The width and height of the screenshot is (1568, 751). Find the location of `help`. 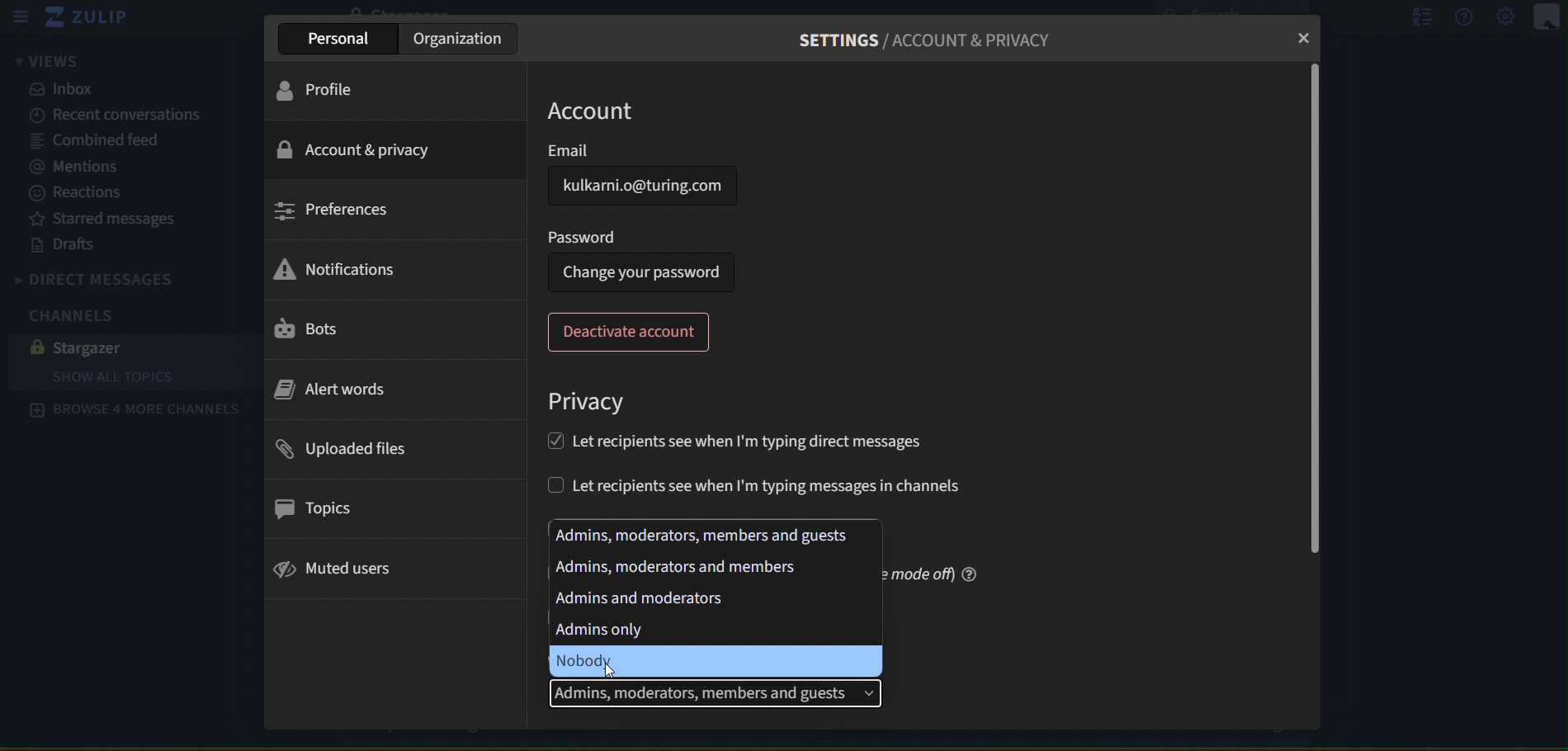

help is located at coordinates (1466, 17).